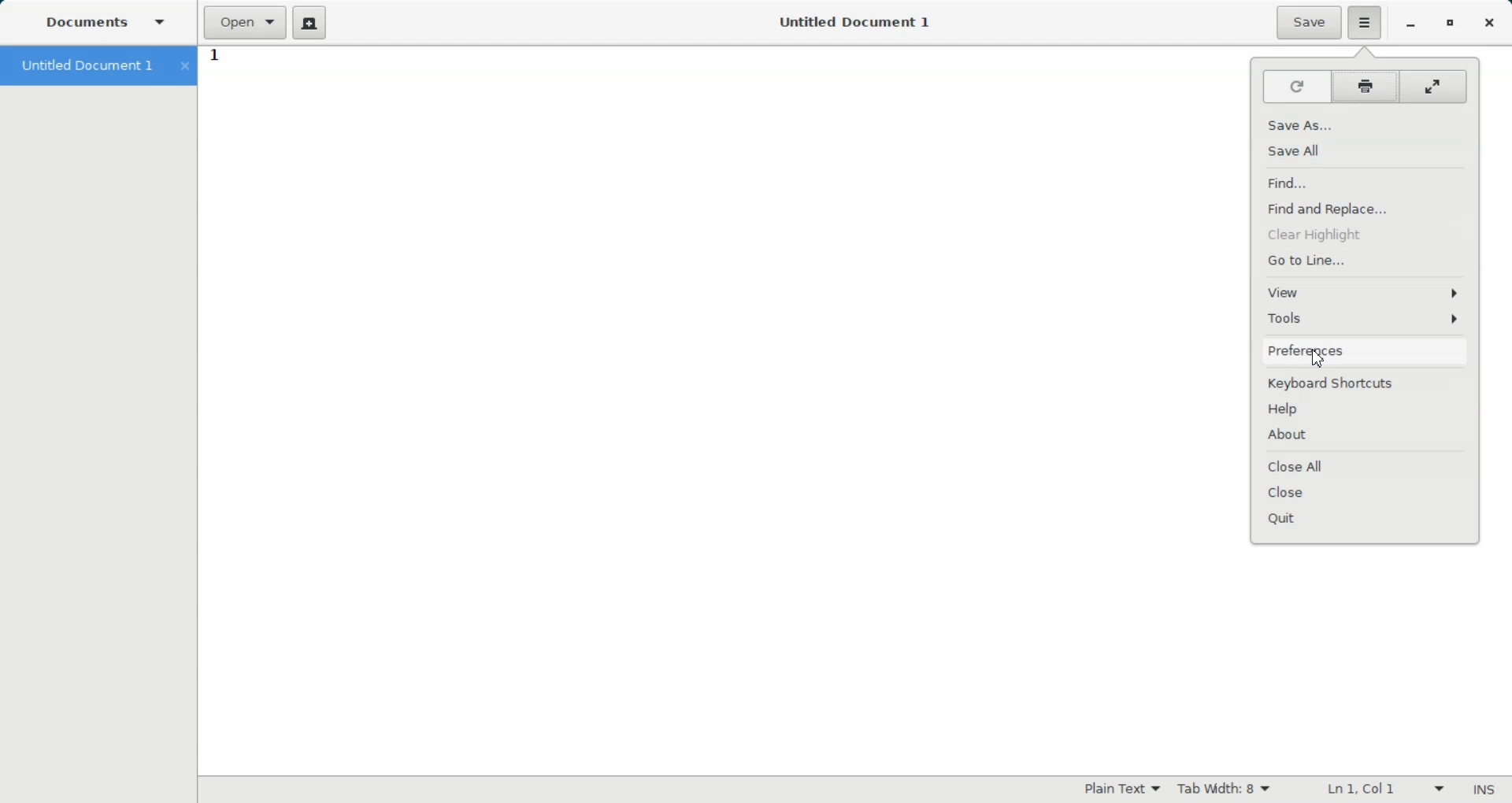 This screenshot has width=1512, height=803. Describe the element at coordinates (1366, 383) in the screenshot. I see `Keyboard shortcuts` at that location.